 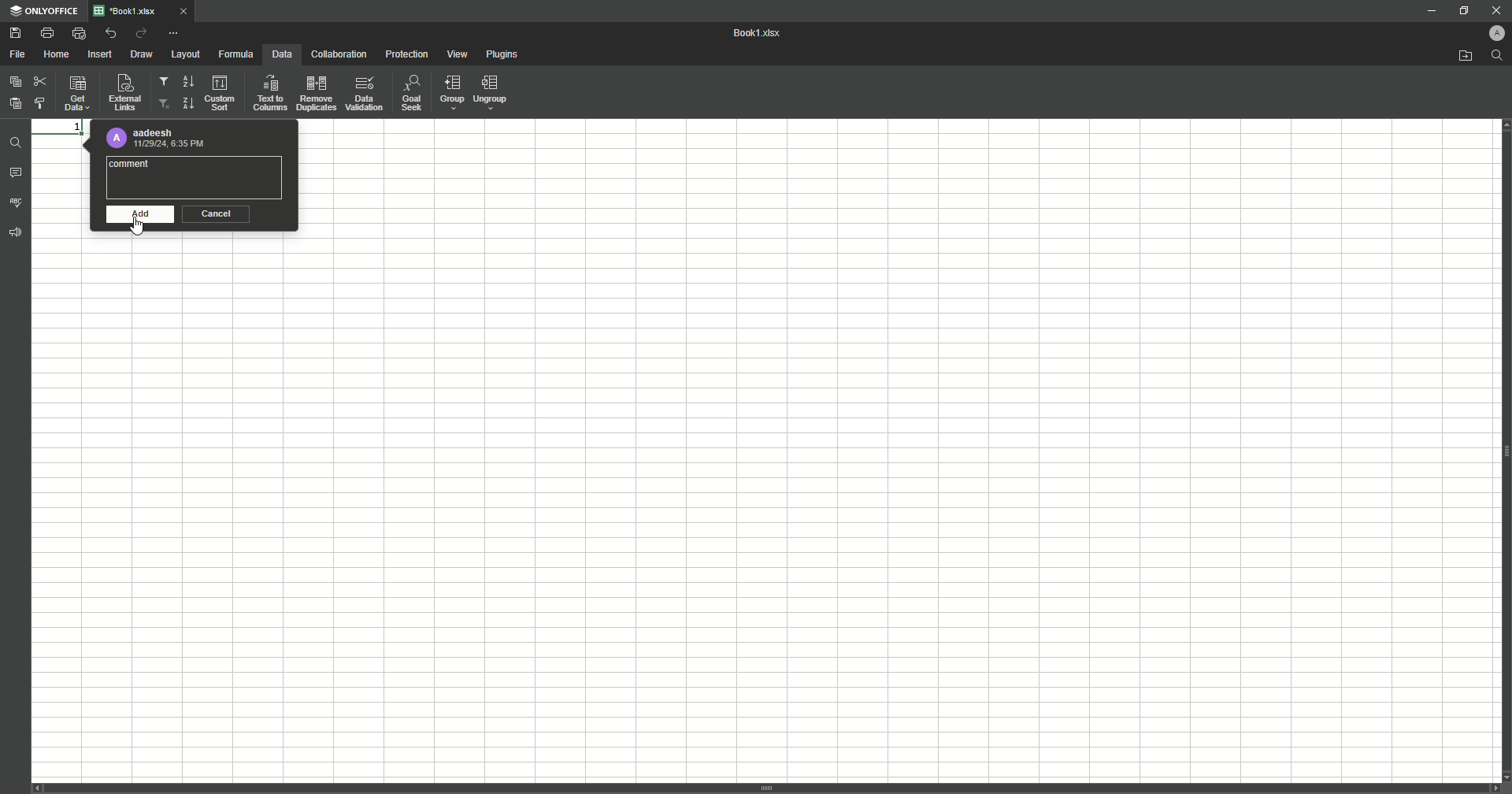 I want to click on Print, so click(x=46, y=33).